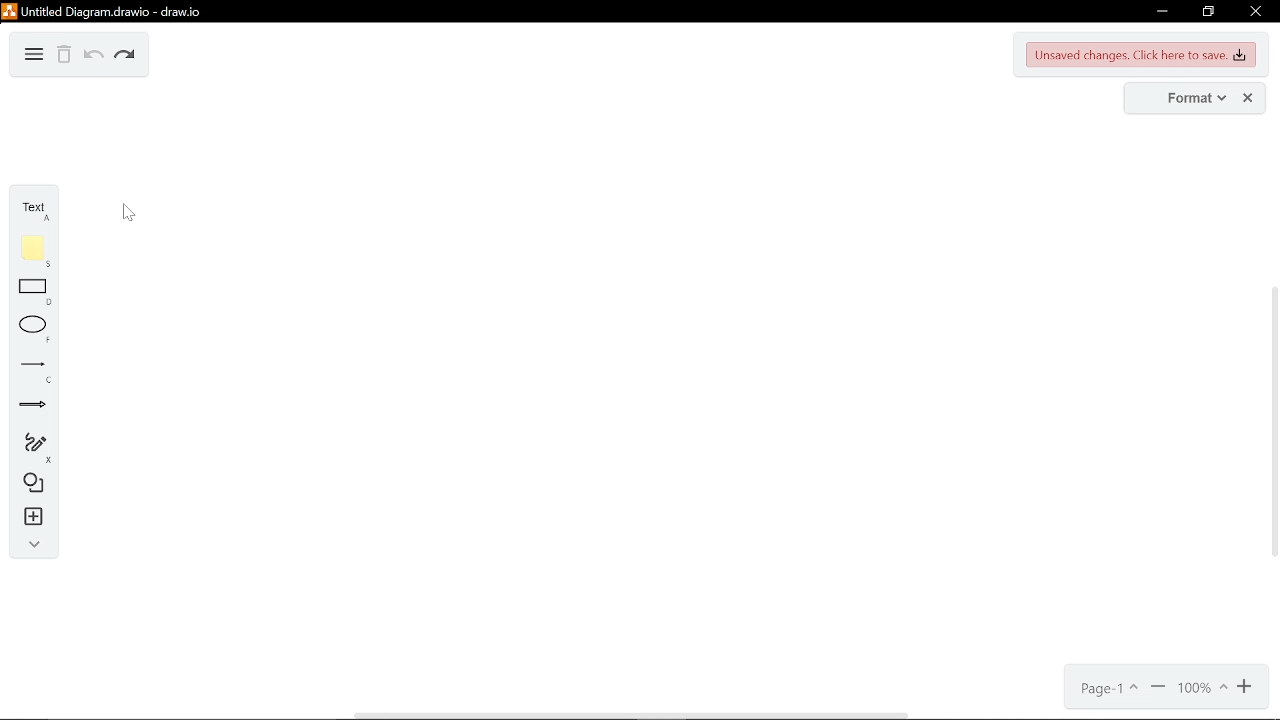 The image size is (1280, 720). I want to click on cursor, so click(128, 217).